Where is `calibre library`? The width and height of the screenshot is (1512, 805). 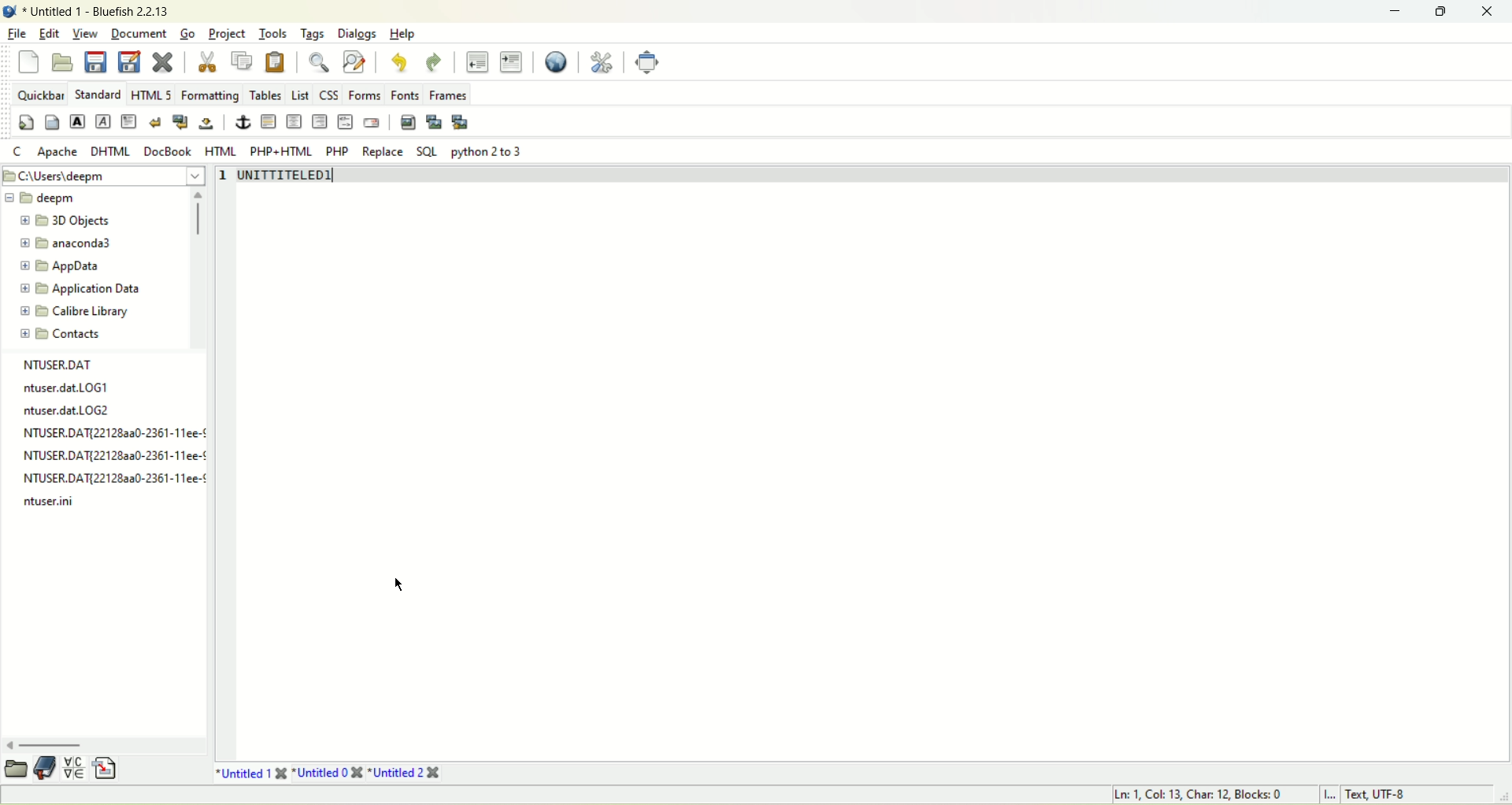
calibre library is located at coordinates (76, 310).